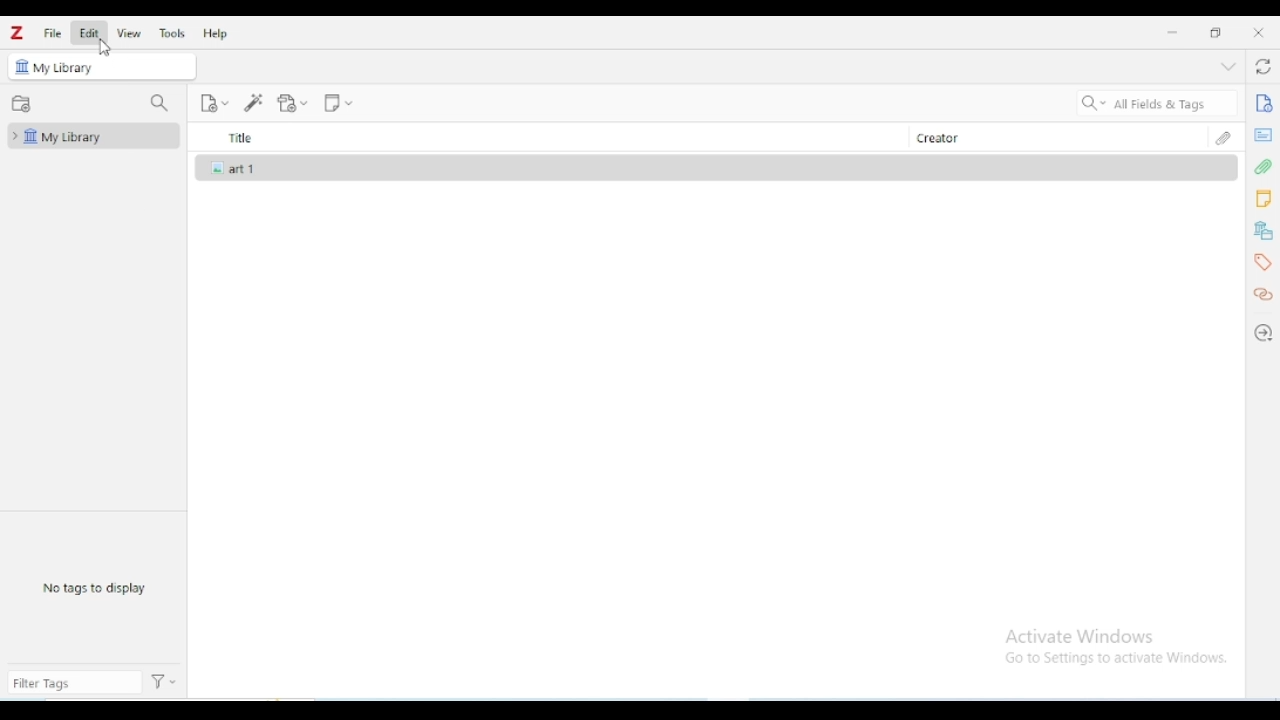 Image resolution: width=1280 pixels, height=720 pixels. Describe the element at coordinates (1228, 66) in the screenshot. I see `collapse section` at that location.